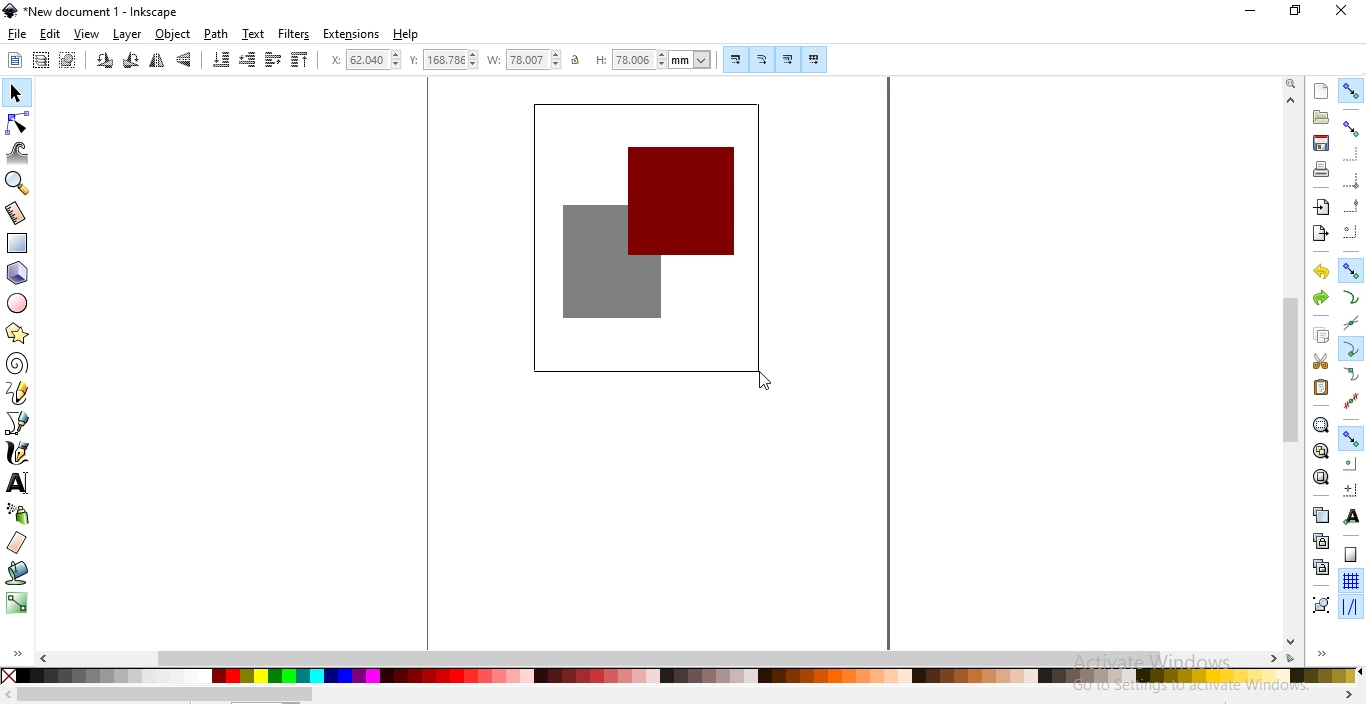  Describe the element at coordinates (219, 60) in the screenshot. I see `lower selection to bottom` at that location.